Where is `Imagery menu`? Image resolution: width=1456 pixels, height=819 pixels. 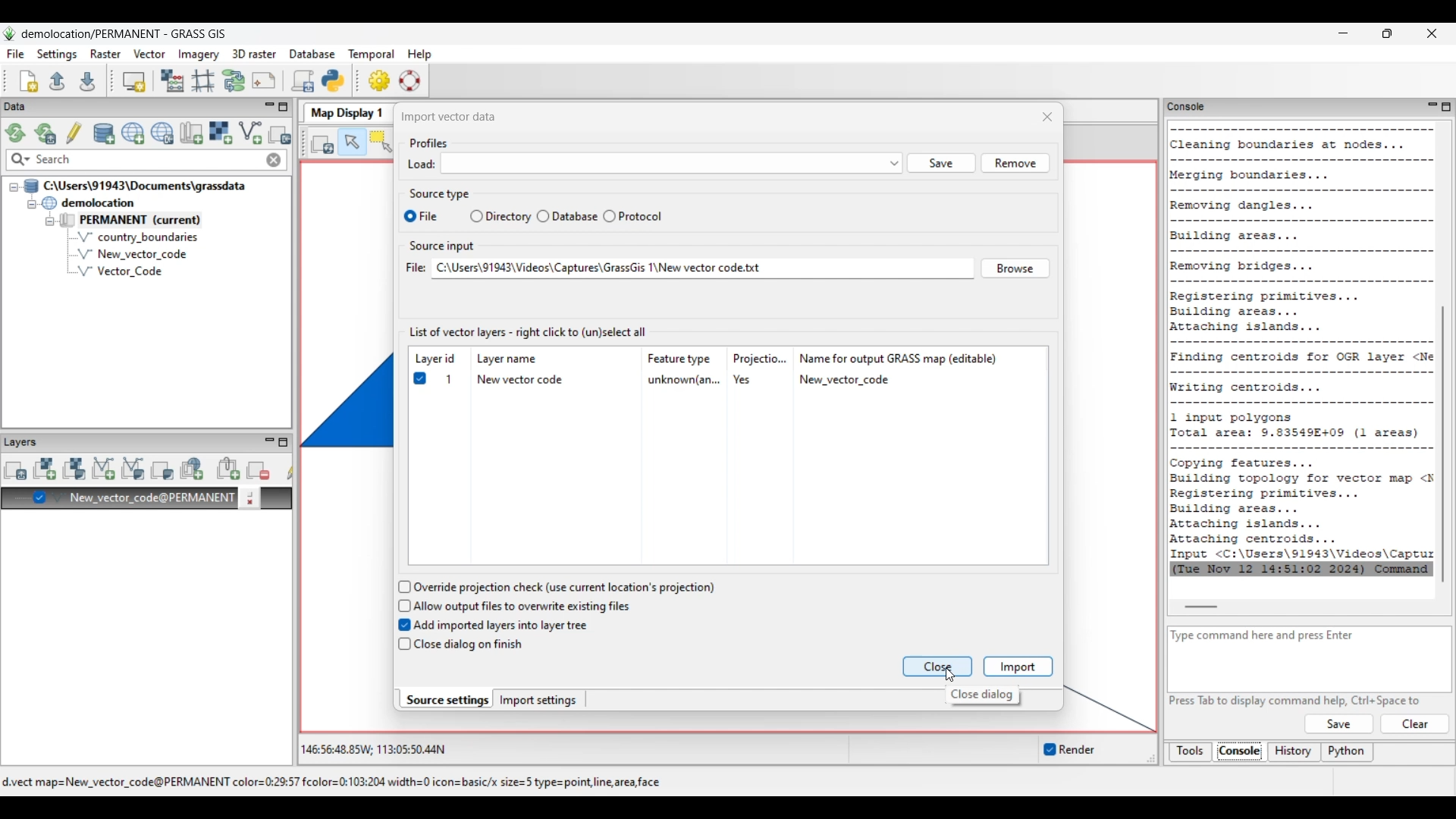
Imagery menu is located at coordinates (199, 55).